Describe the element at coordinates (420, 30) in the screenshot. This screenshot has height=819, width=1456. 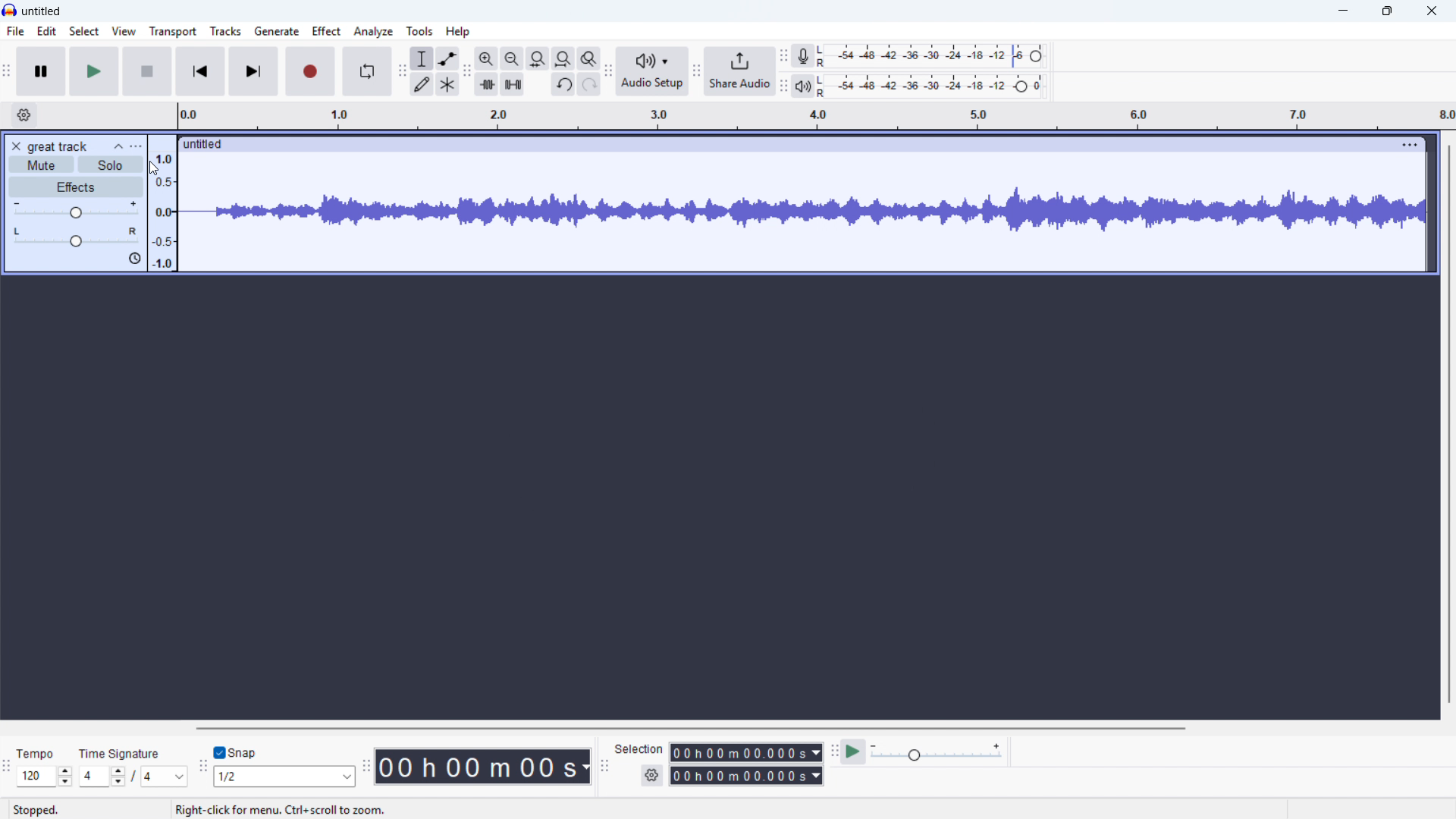
I see `Tools ` at that location.